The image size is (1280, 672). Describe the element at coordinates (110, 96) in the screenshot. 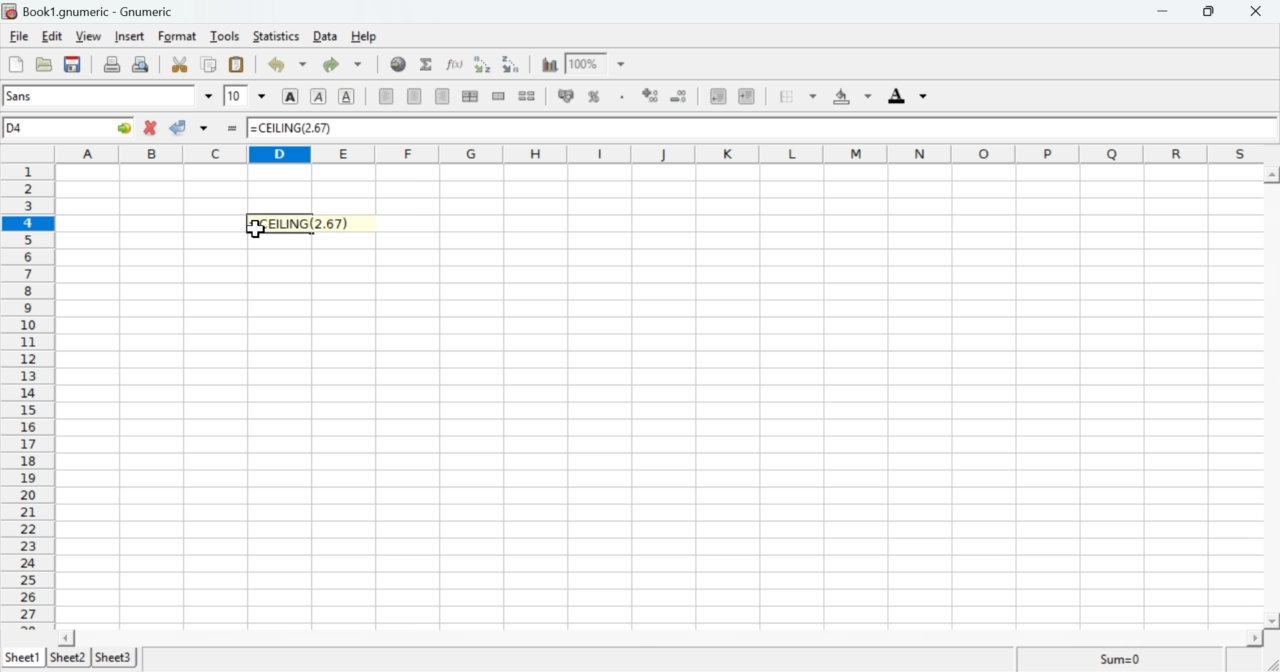

I see `Font Style` at that location.